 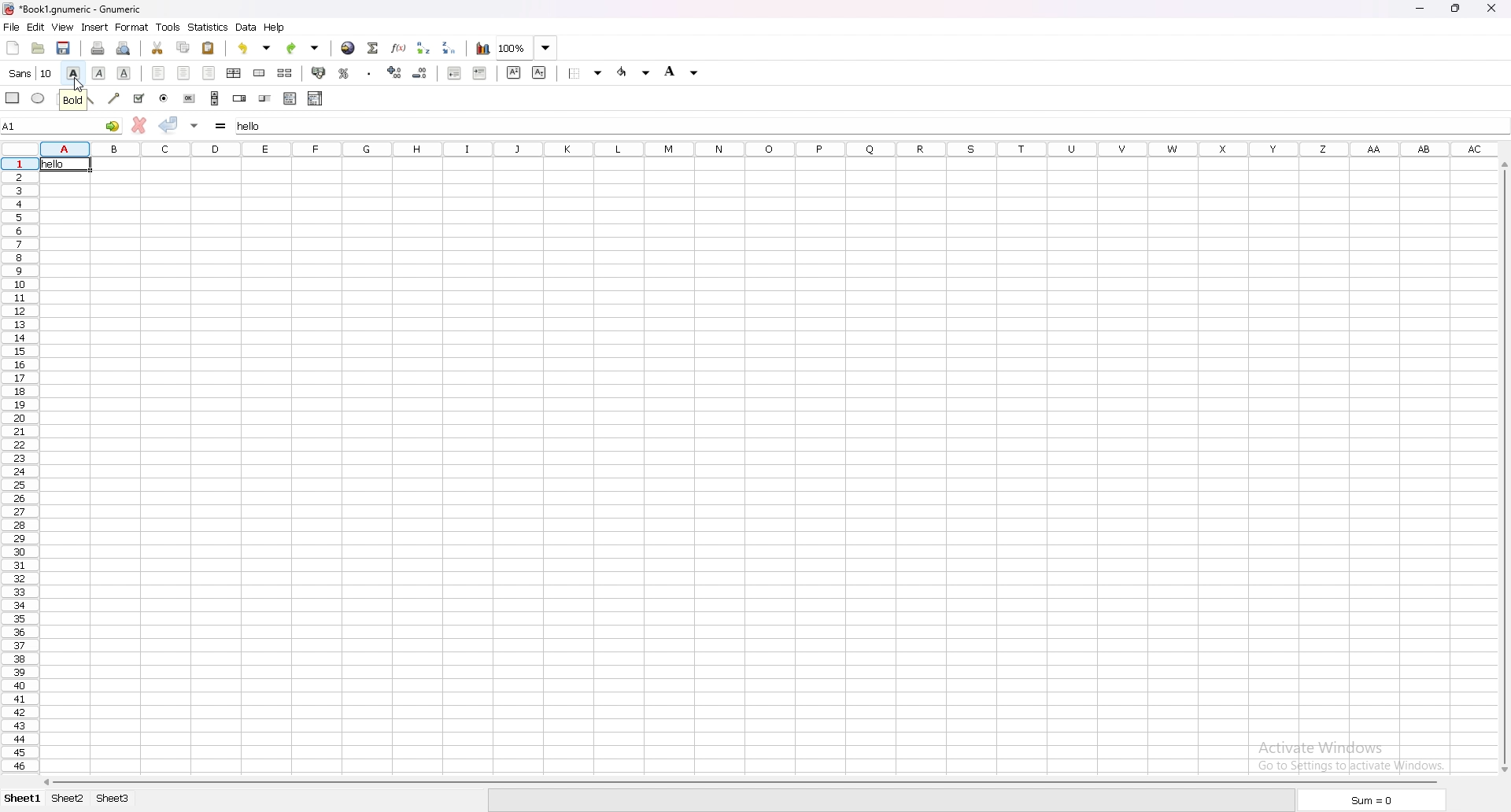 I want to click on decrease indent, so click(x=455, y=72).